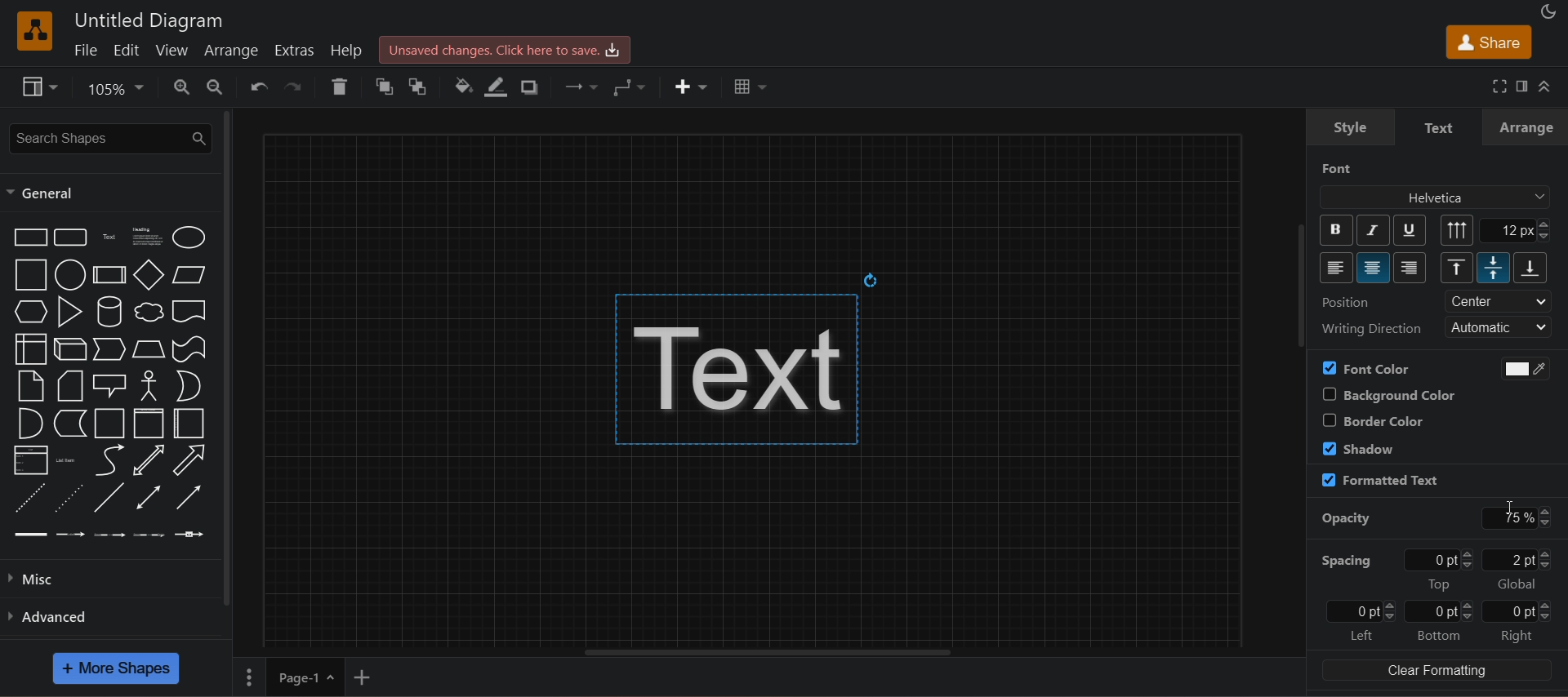  Describe the element at coordinates (340, 86) in the screenshot. I see `delete` at that location.